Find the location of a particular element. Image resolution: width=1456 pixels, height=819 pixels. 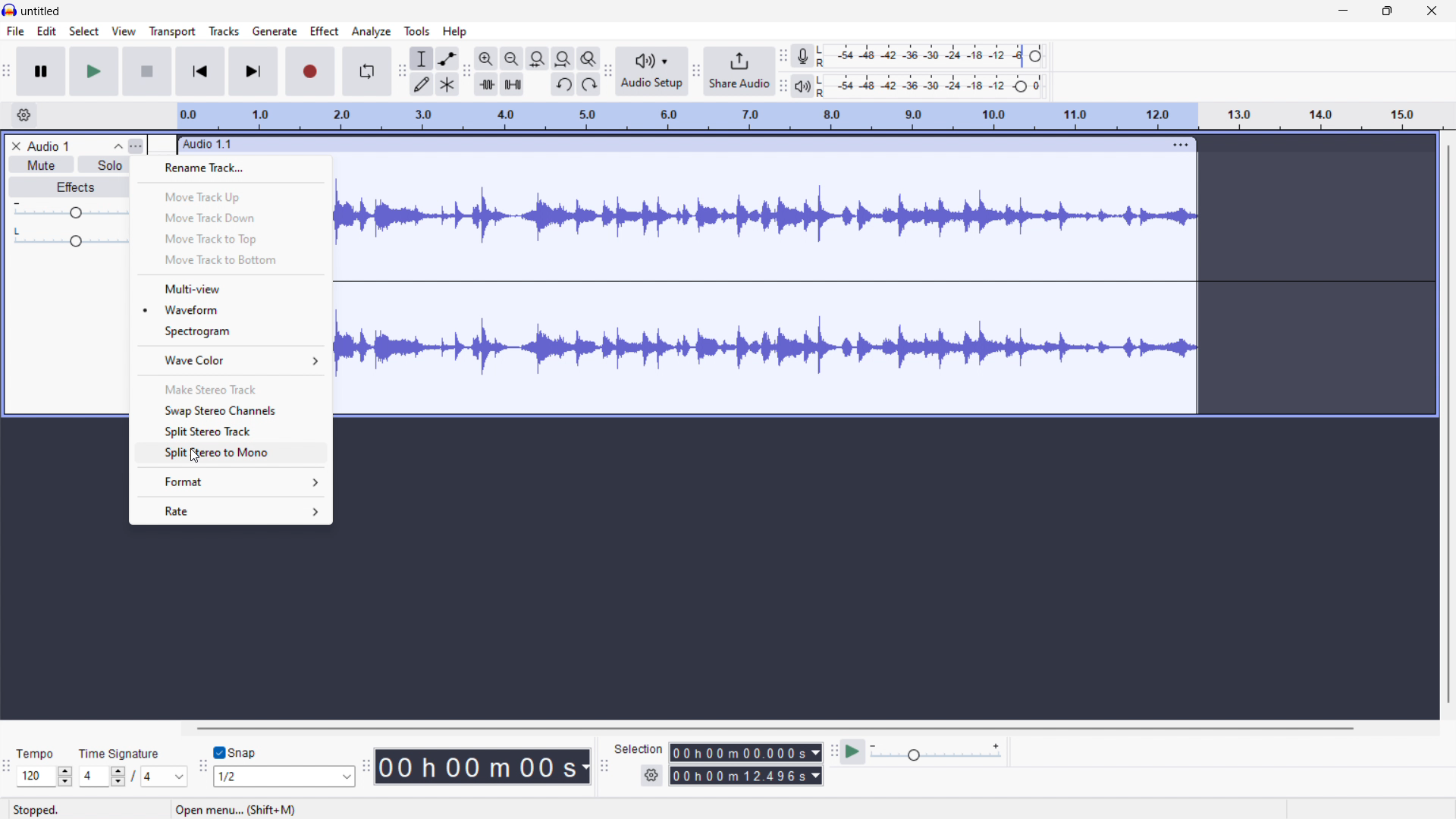

move track to bottom is located at coordinates (230, 260).